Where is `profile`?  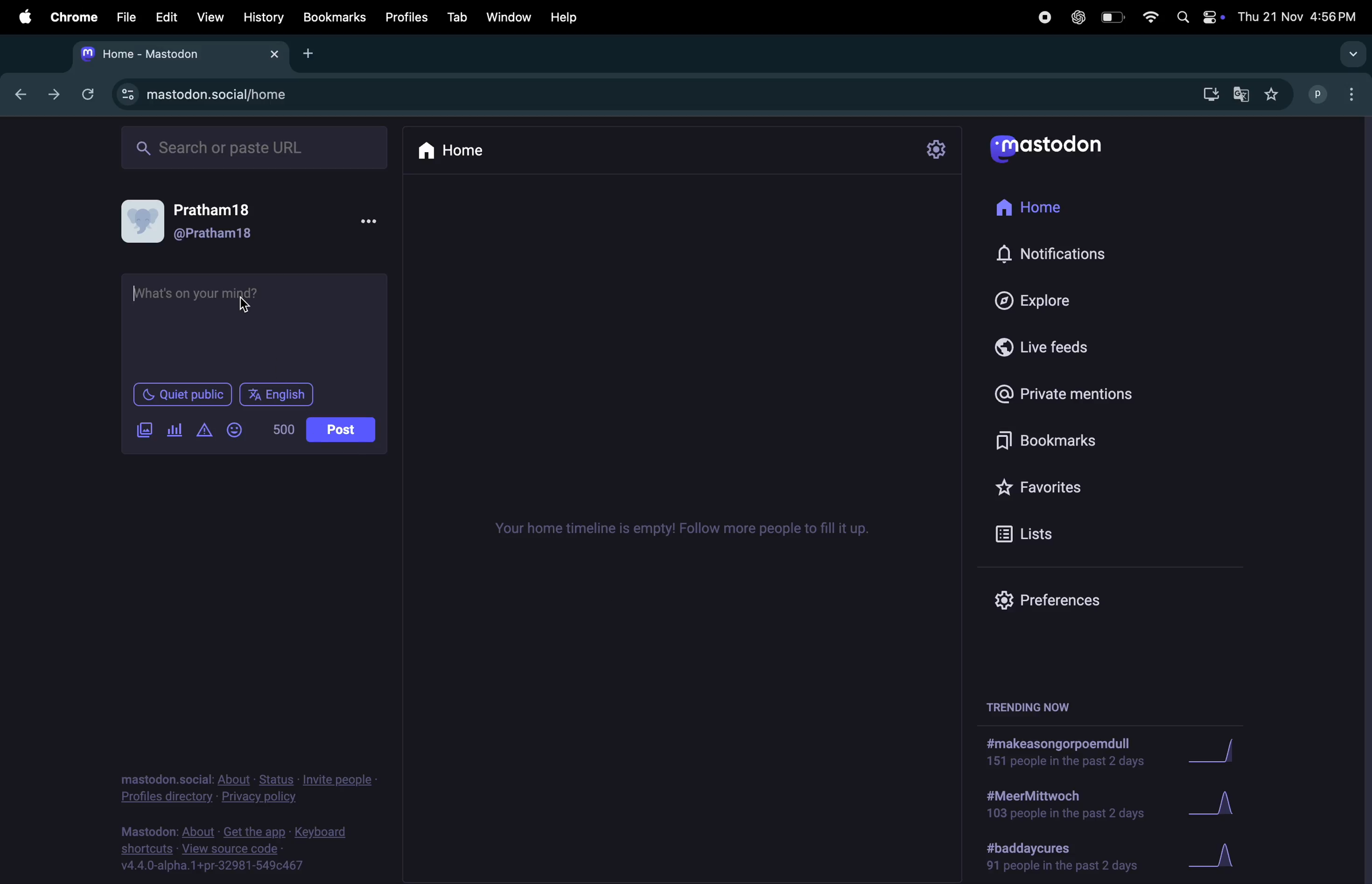 profile is located at coordinates (1313, 93).